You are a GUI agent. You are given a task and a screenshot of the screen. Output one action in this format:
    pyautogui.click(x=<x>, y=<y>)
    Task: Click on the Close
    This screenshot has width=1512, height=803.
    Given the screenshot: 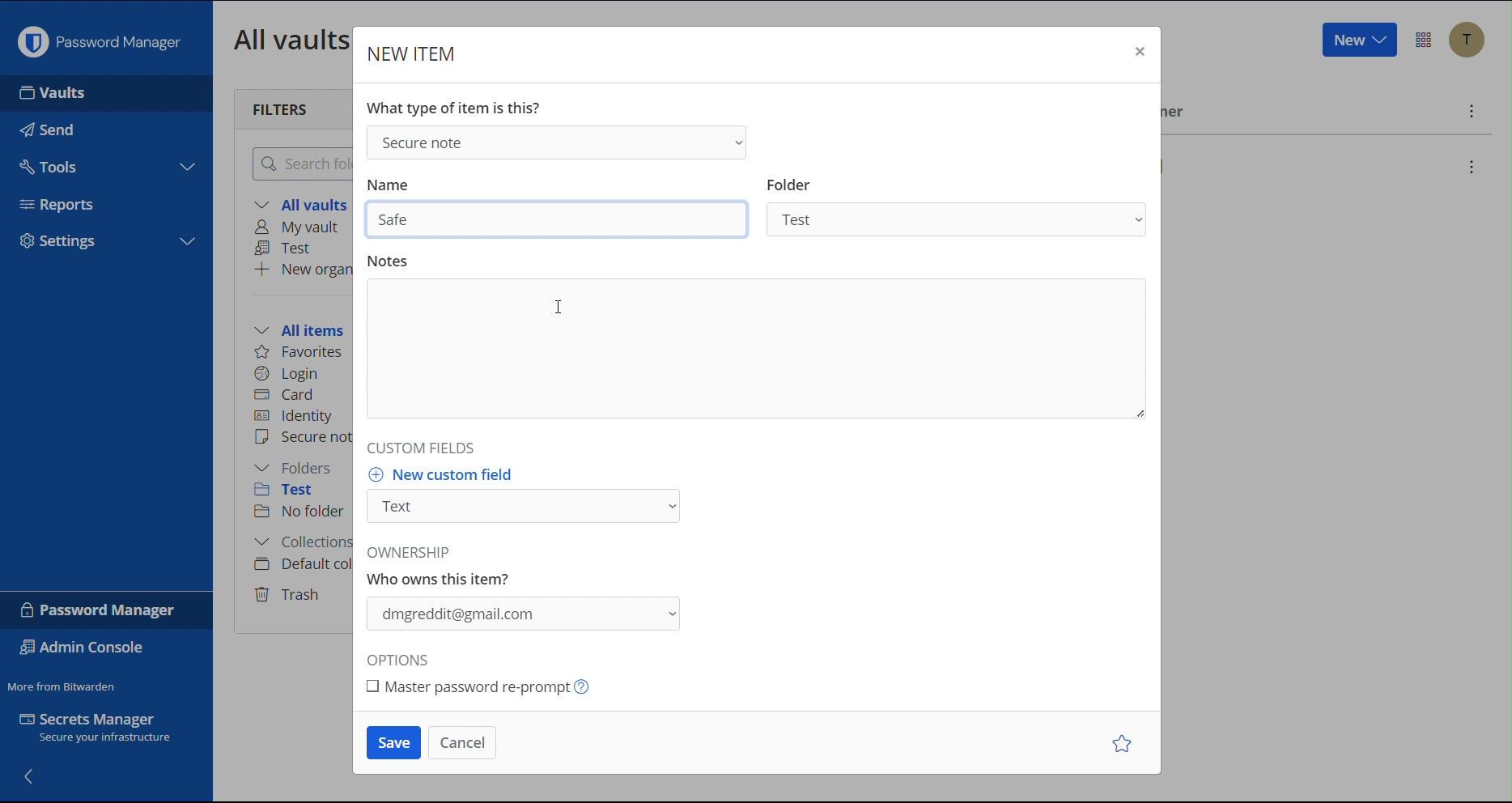 What is the action you would take?
    pyautogui.click(x=1137, y=53)
    